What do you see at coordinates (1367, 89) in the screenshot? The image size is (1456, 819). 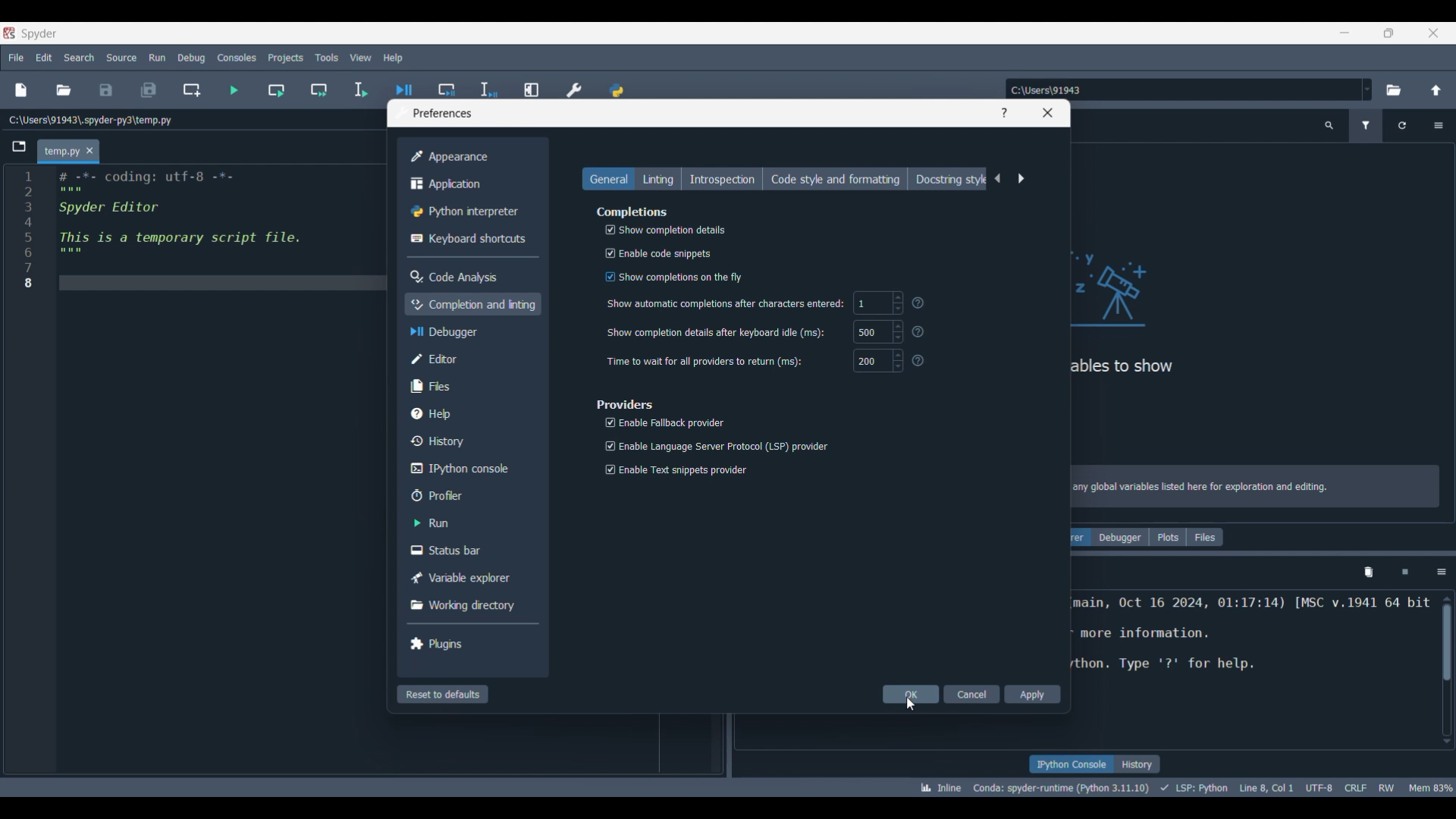 I see `Location options` at bounding box center [1367, 89].